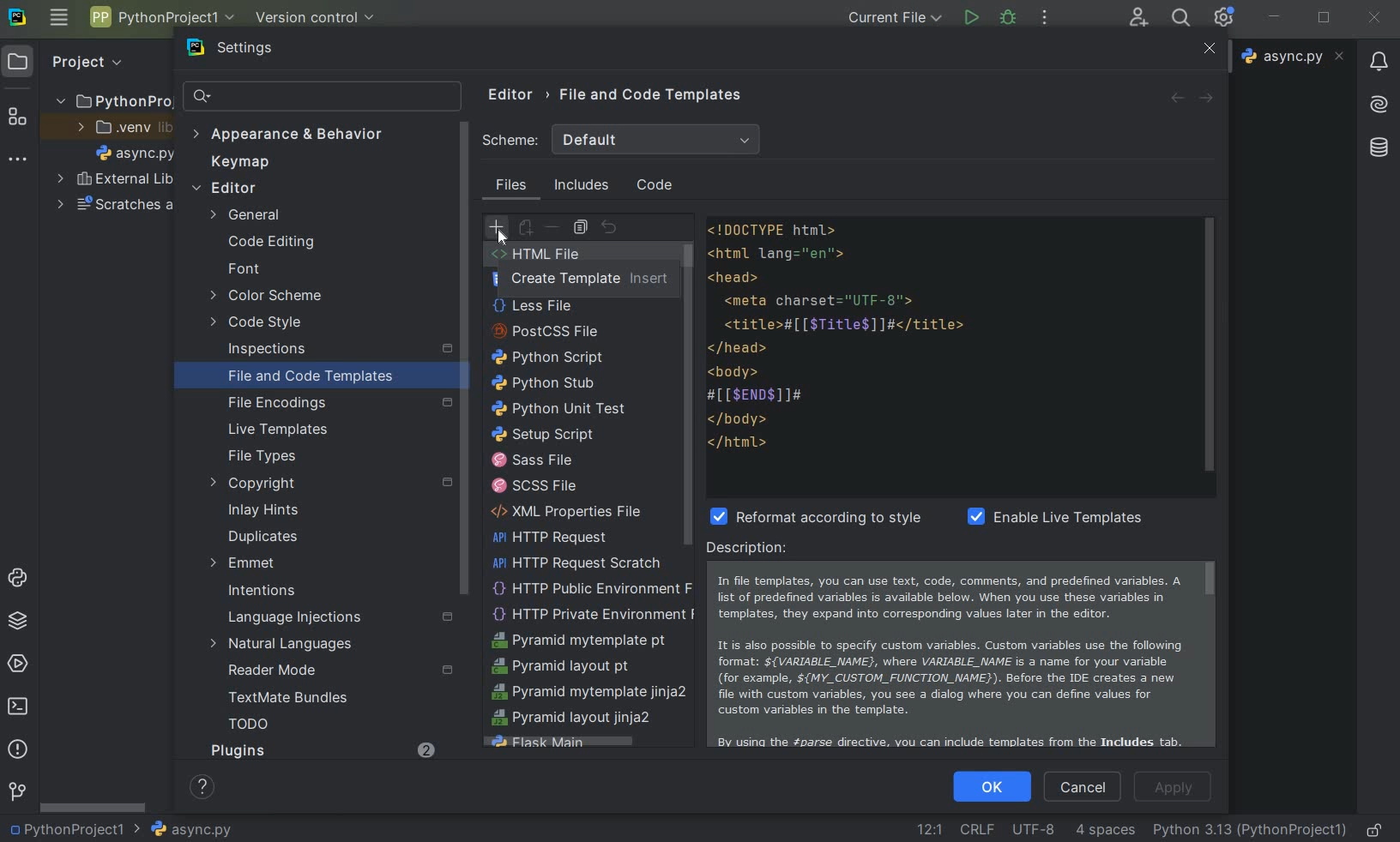  What do you see at coordinates (576, 254) in the screenshot?
I see `HTML File` at bounding box center [576, 254].